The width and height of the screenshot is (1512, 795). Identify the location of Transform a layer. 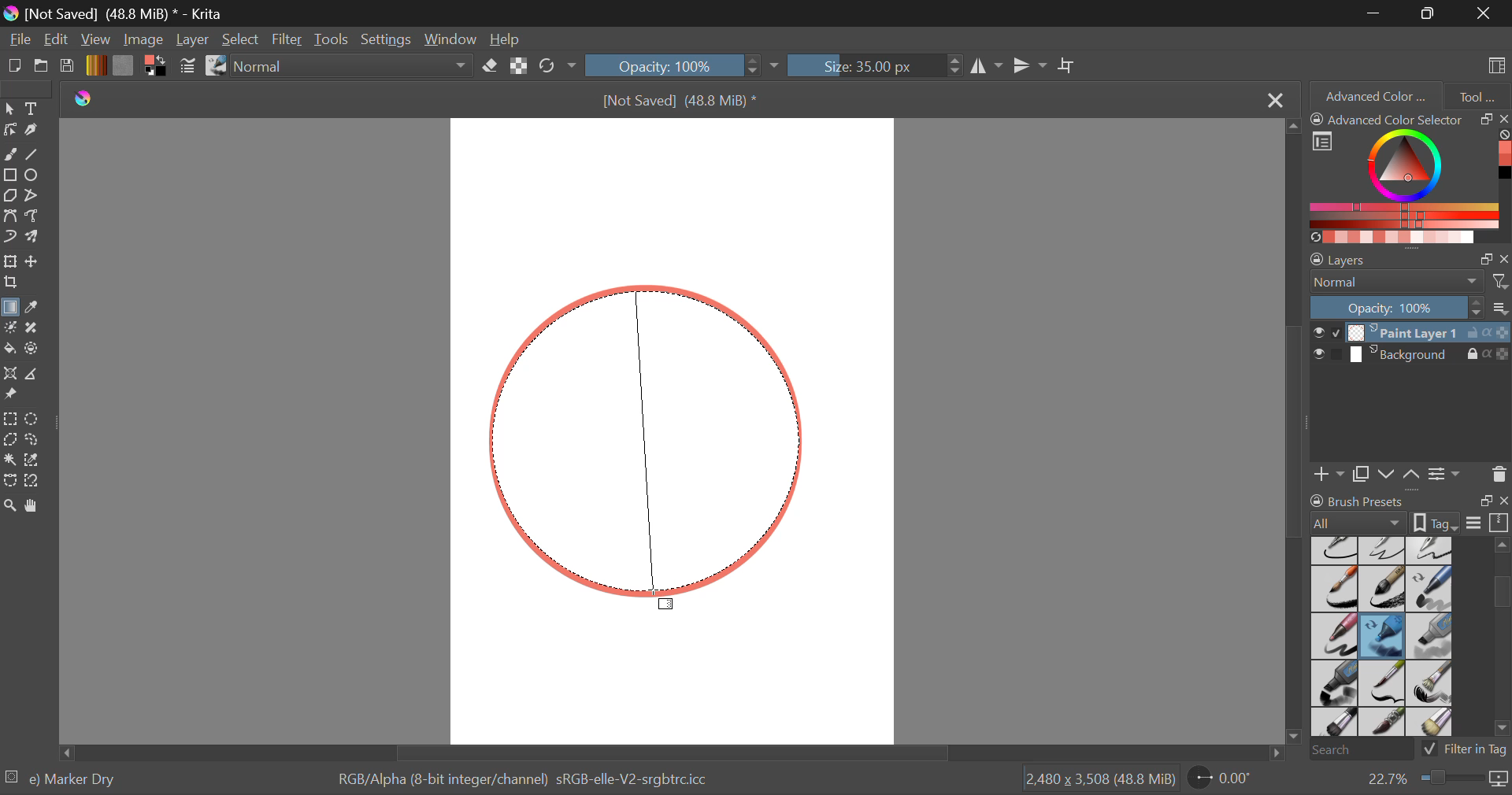
(9, 261).